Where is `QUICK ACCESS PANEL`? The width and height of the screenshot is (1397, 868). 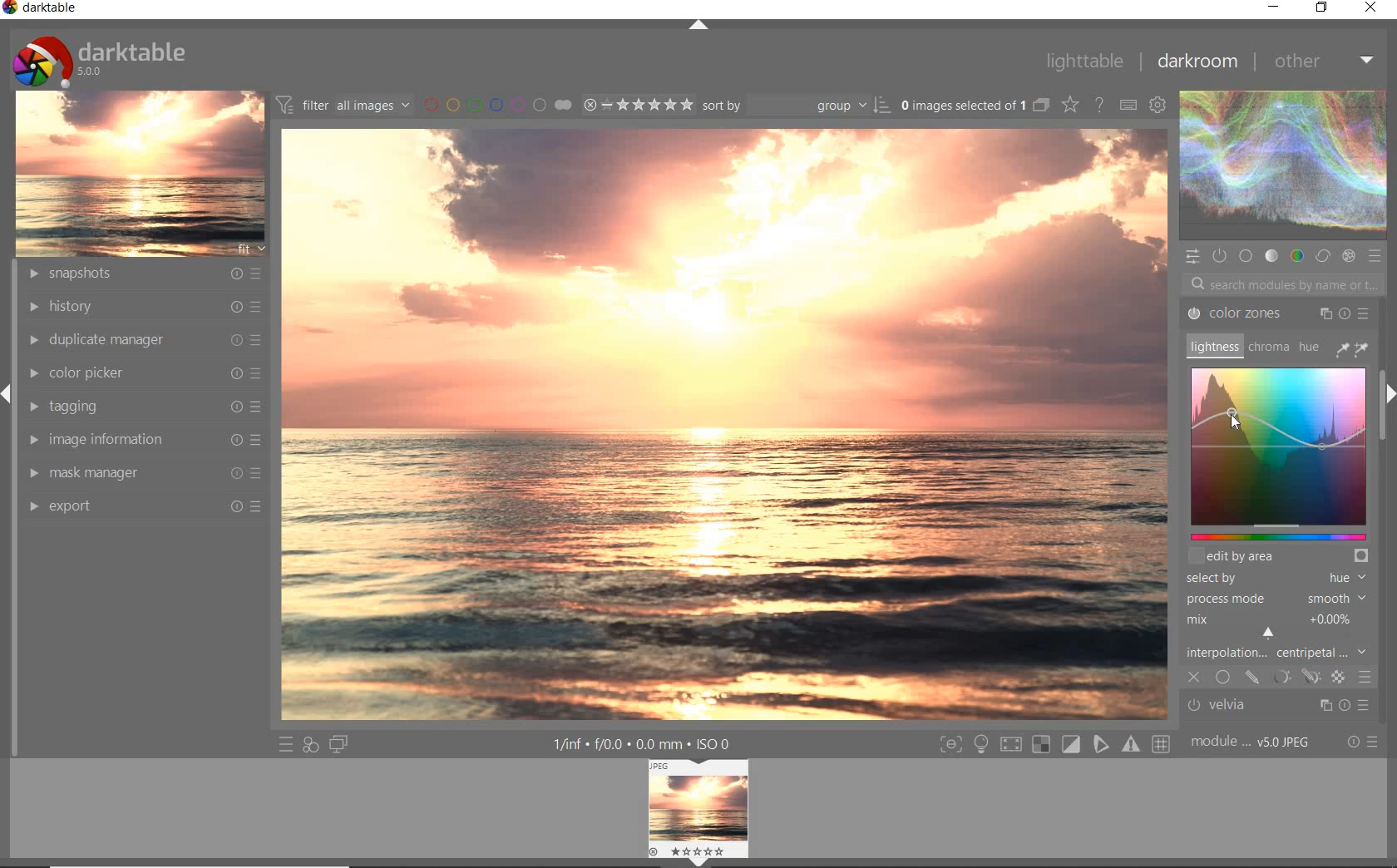
QUICK ACCESS PANEL is located at coordinates (1194, 255).